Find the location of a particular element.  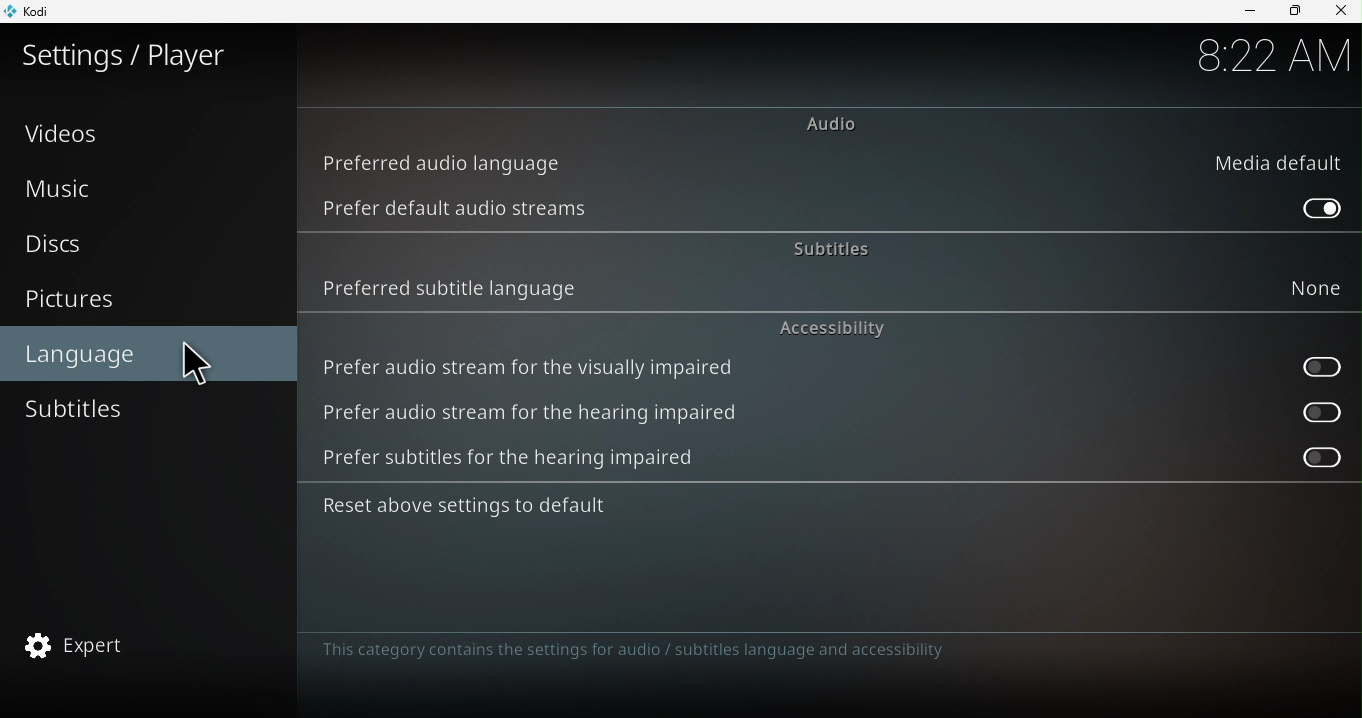

Subtitles is located at coordinates (140, 410).